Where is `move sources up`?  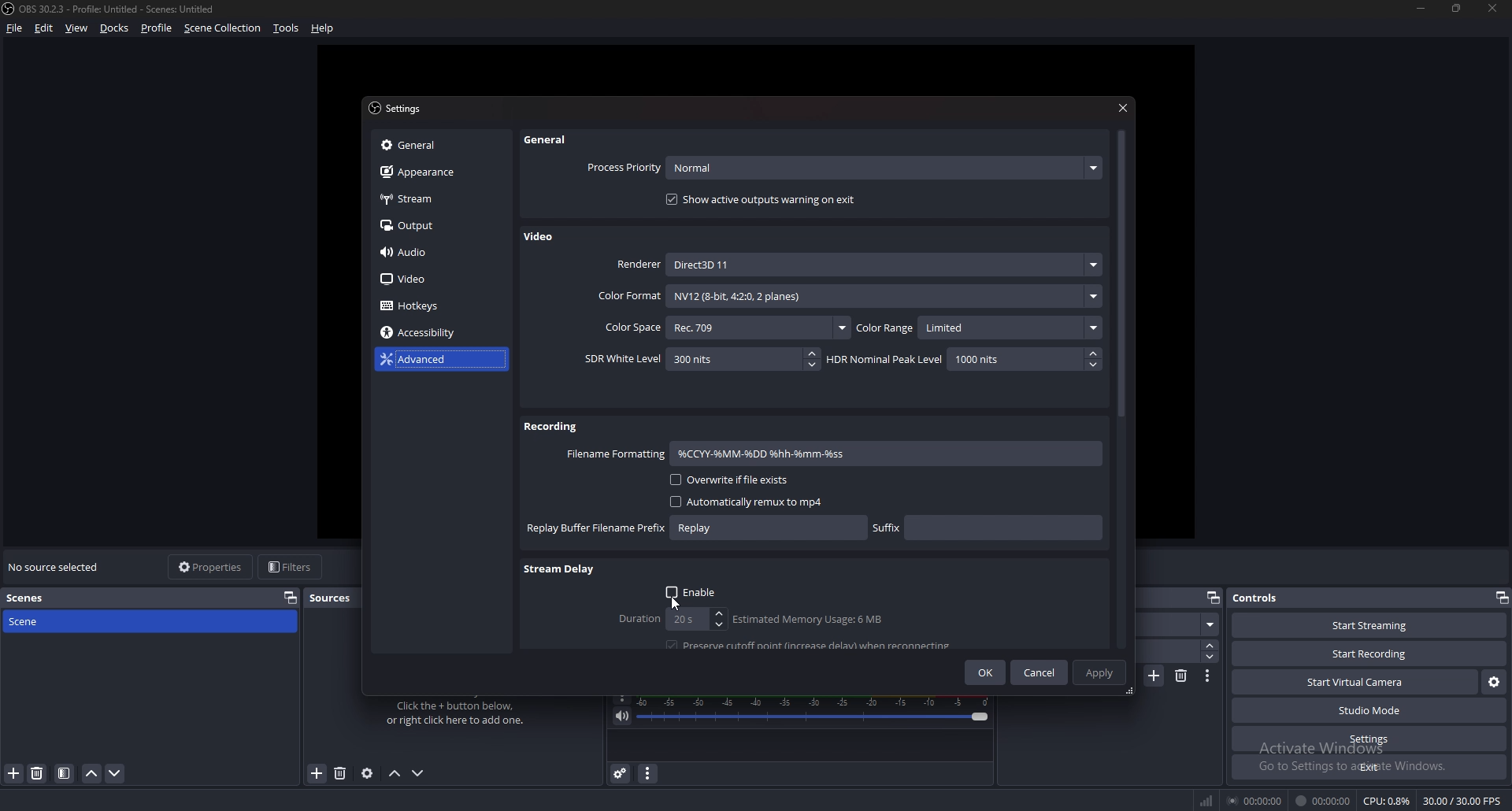
move sources up is located at coordinates (396, 775).